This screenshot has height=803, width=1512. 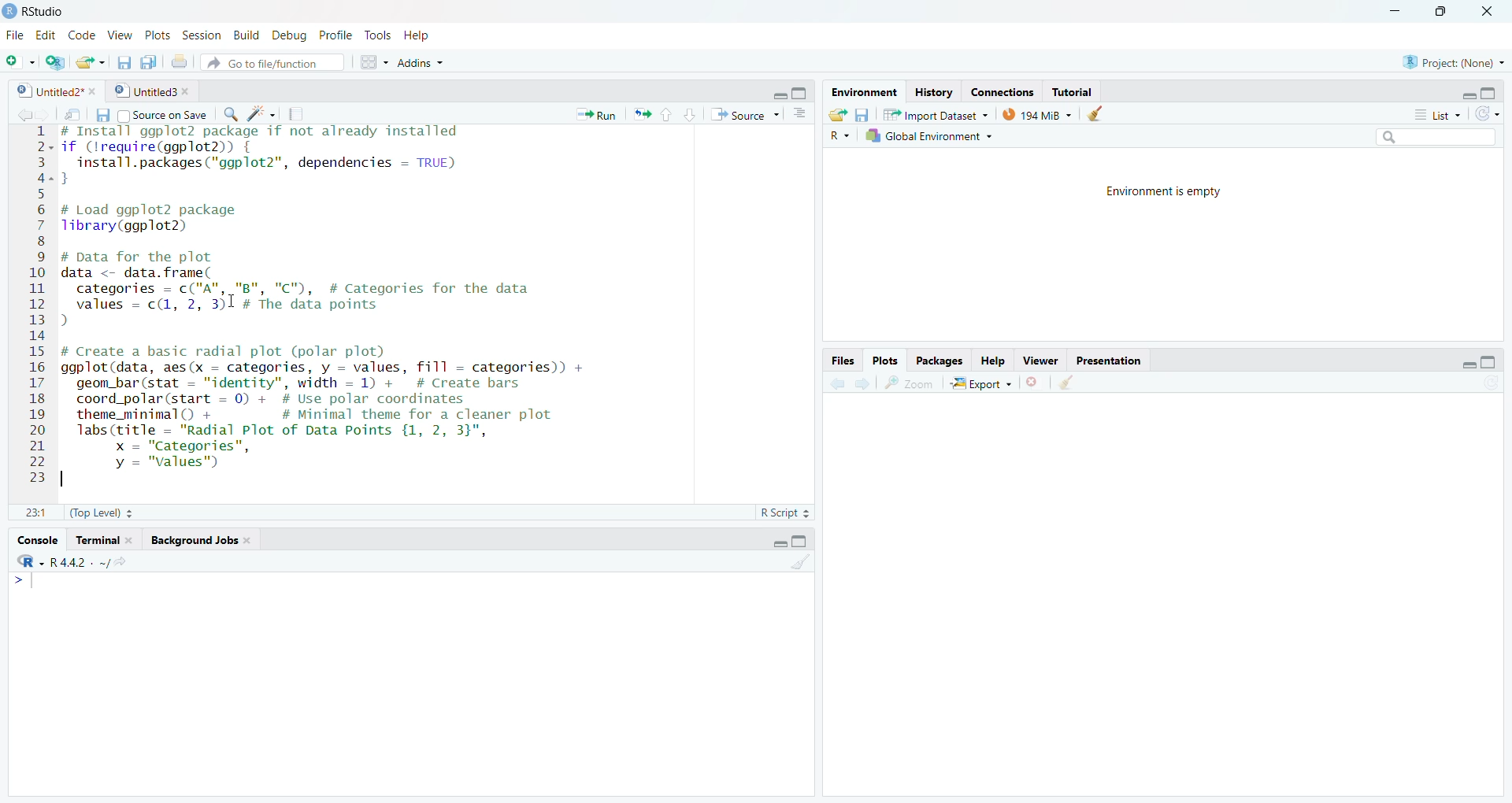 What do you see at coordinates (230, 114) in the screenshot?
I see `search` at bounding box center [230, 114].